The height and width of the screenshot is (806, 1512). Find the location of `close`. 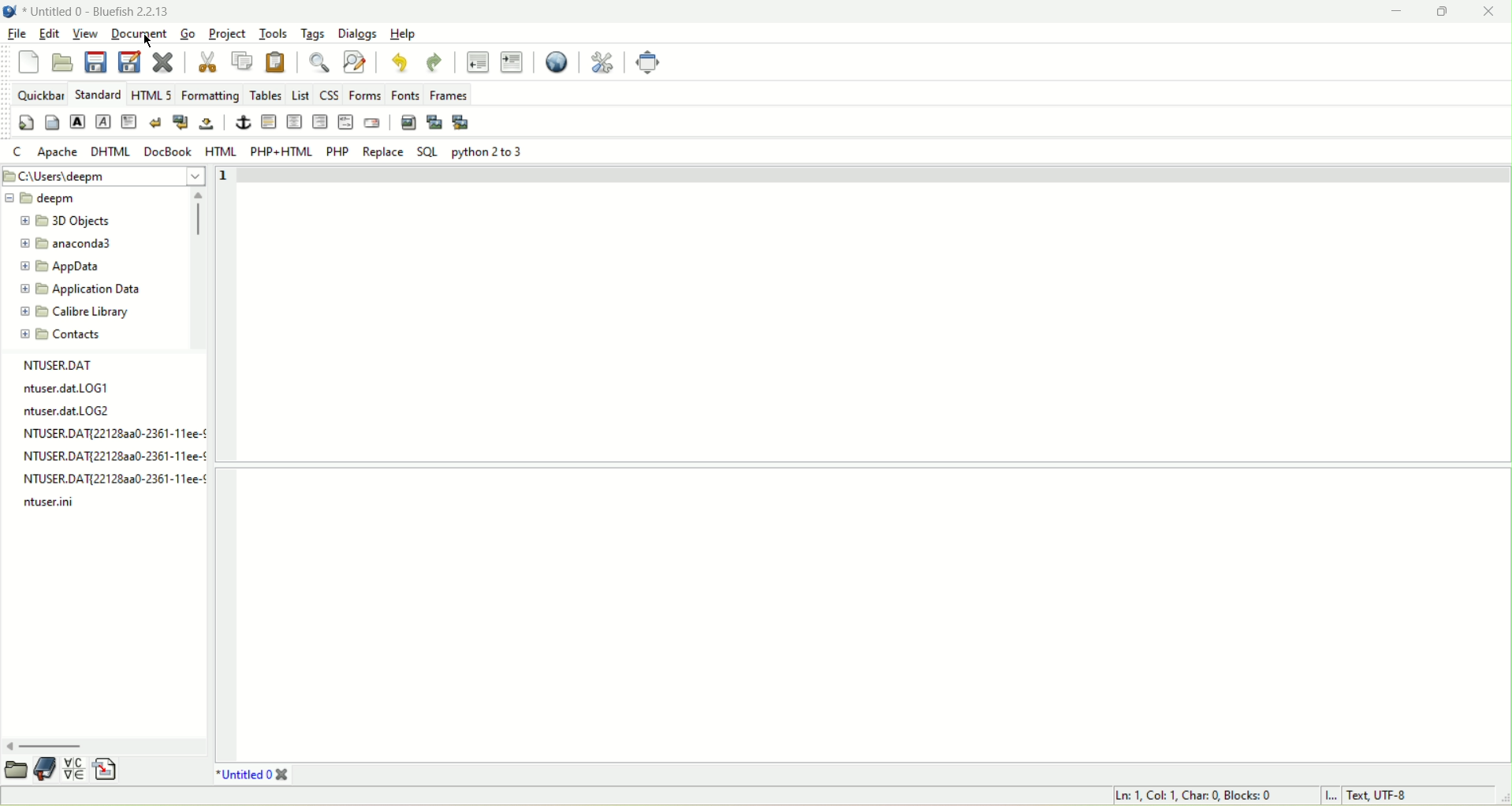

close is located at coordinates (162, 61).